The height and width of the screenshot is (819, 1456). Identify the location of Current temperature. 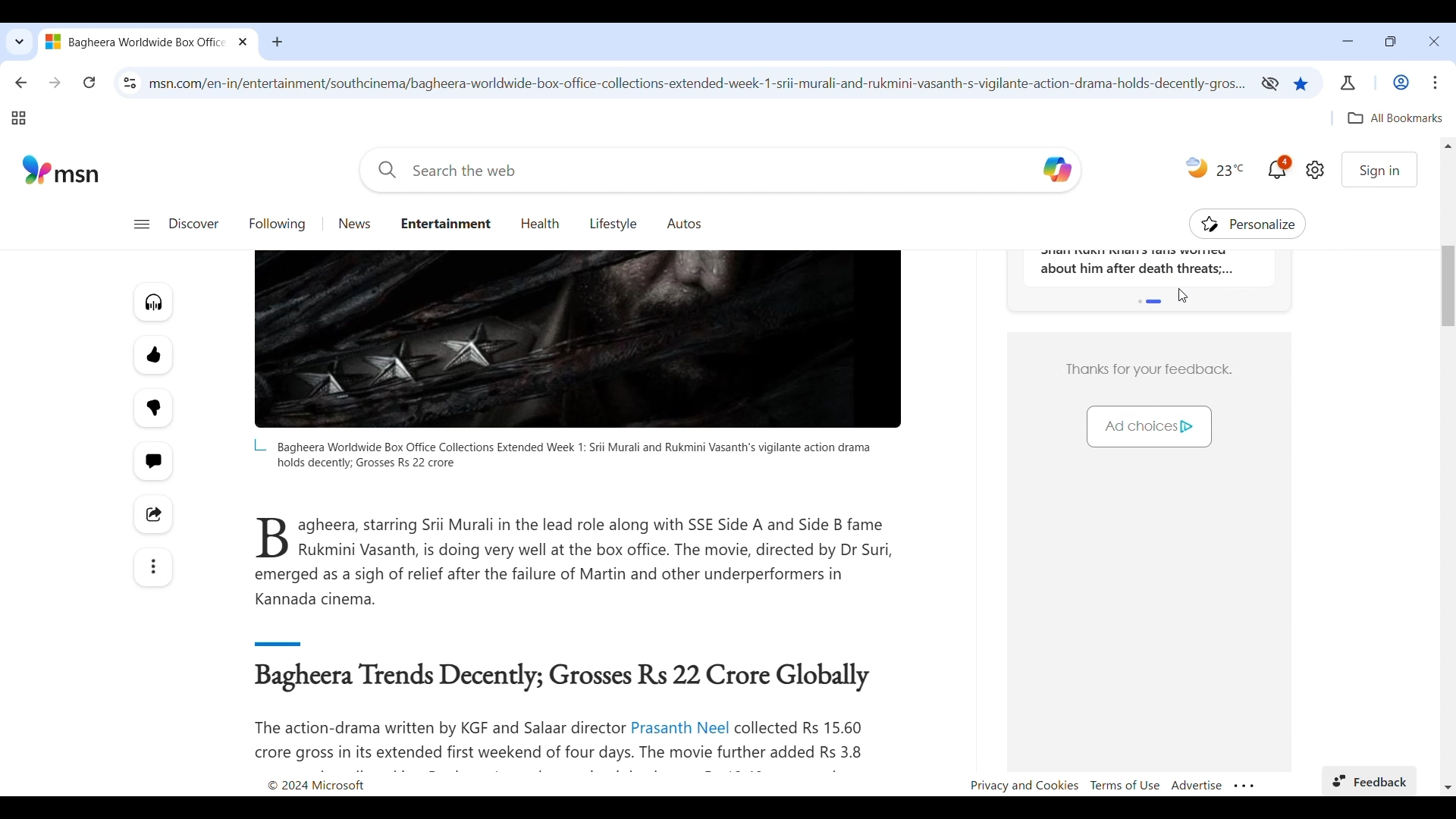
(1231, 170).